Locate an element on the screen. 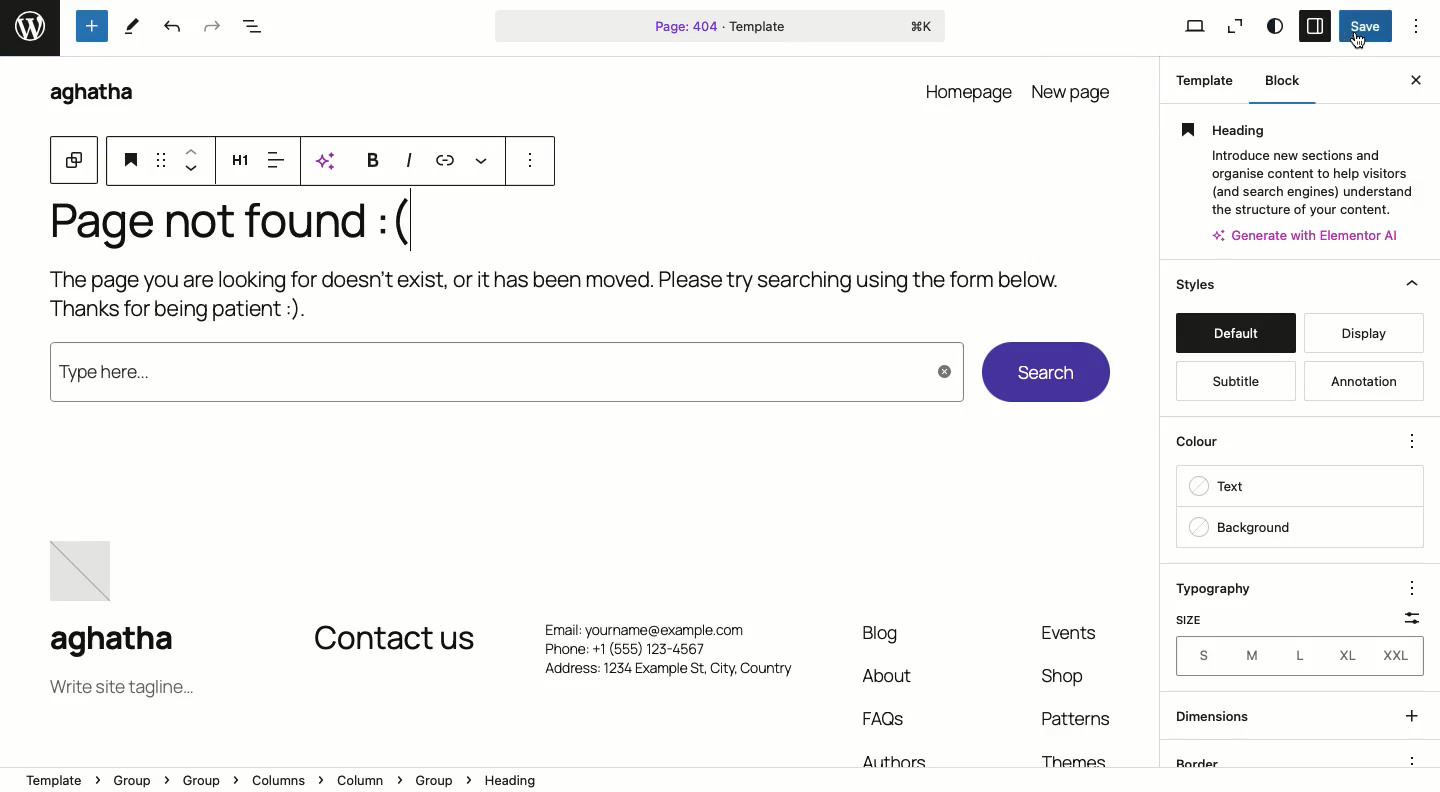 This screenshot has width=1440, height=792. Tagline is located at coordinates (120, 689).